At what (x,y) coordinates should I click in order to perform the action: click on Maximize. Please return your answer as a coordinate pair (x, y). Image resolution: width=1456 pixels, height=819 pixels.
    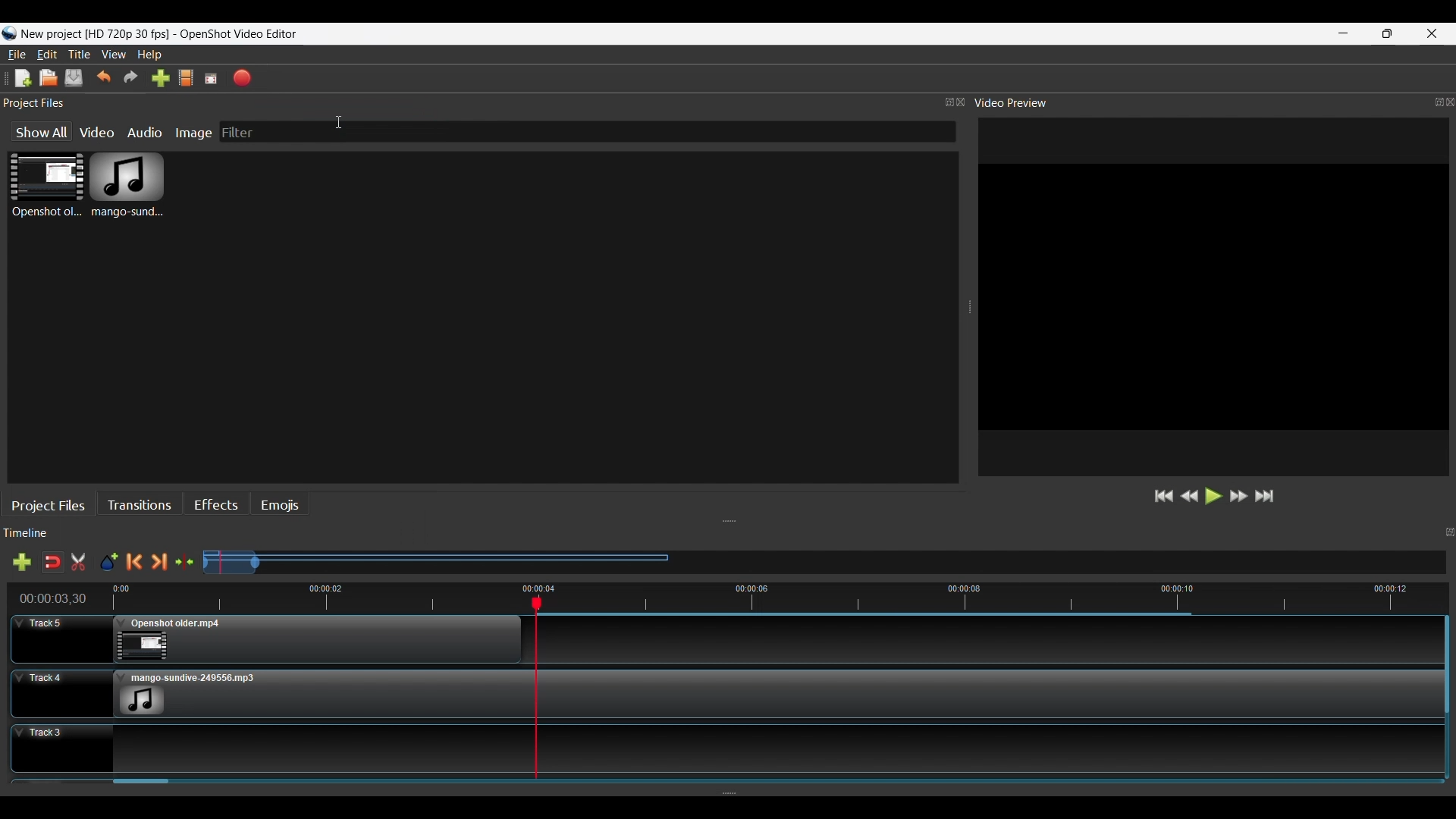
    Looking at the image, I should click on (1429, 99).